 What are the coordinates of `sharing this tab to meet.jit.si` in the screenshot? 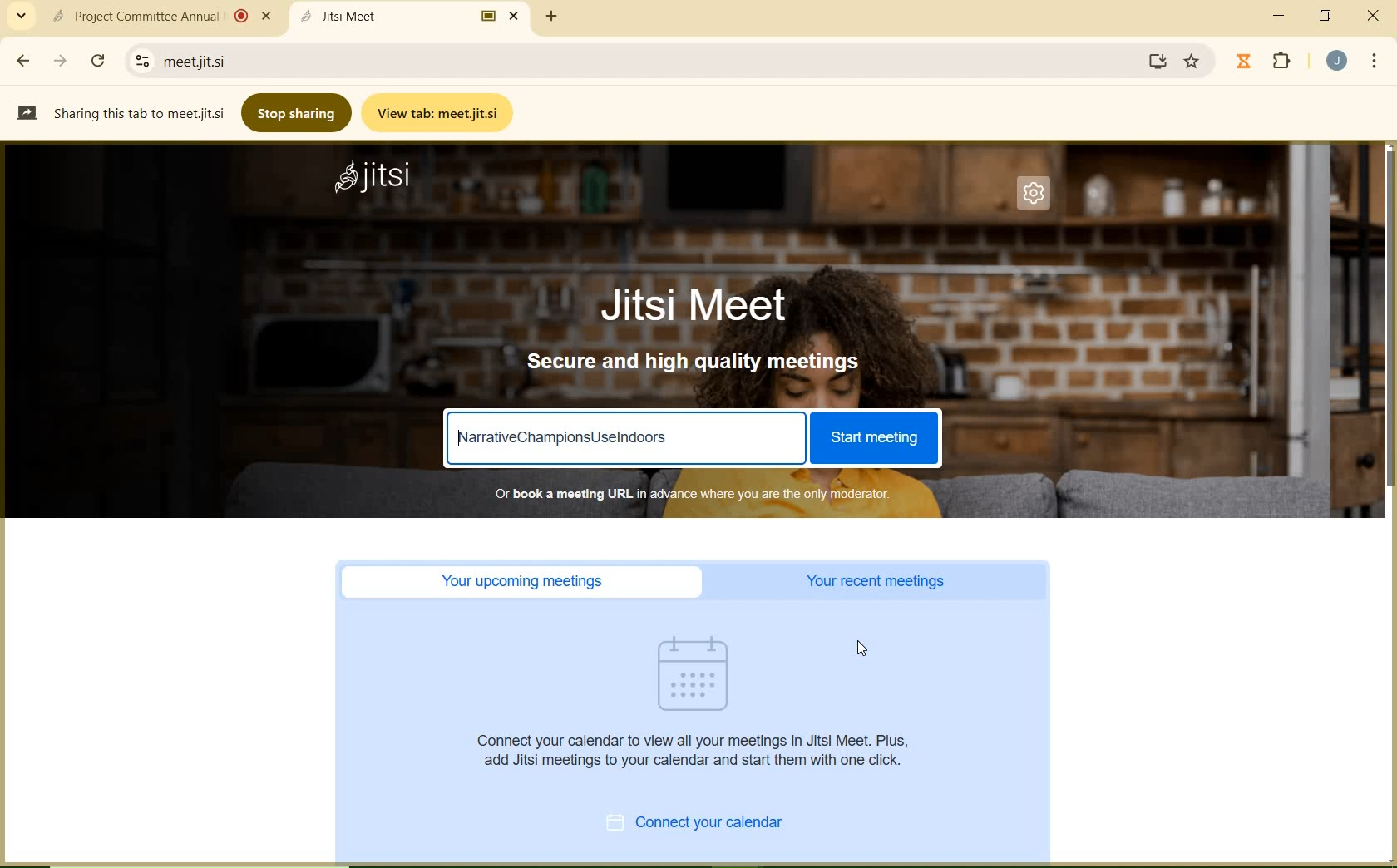 It's located at (119, 116).